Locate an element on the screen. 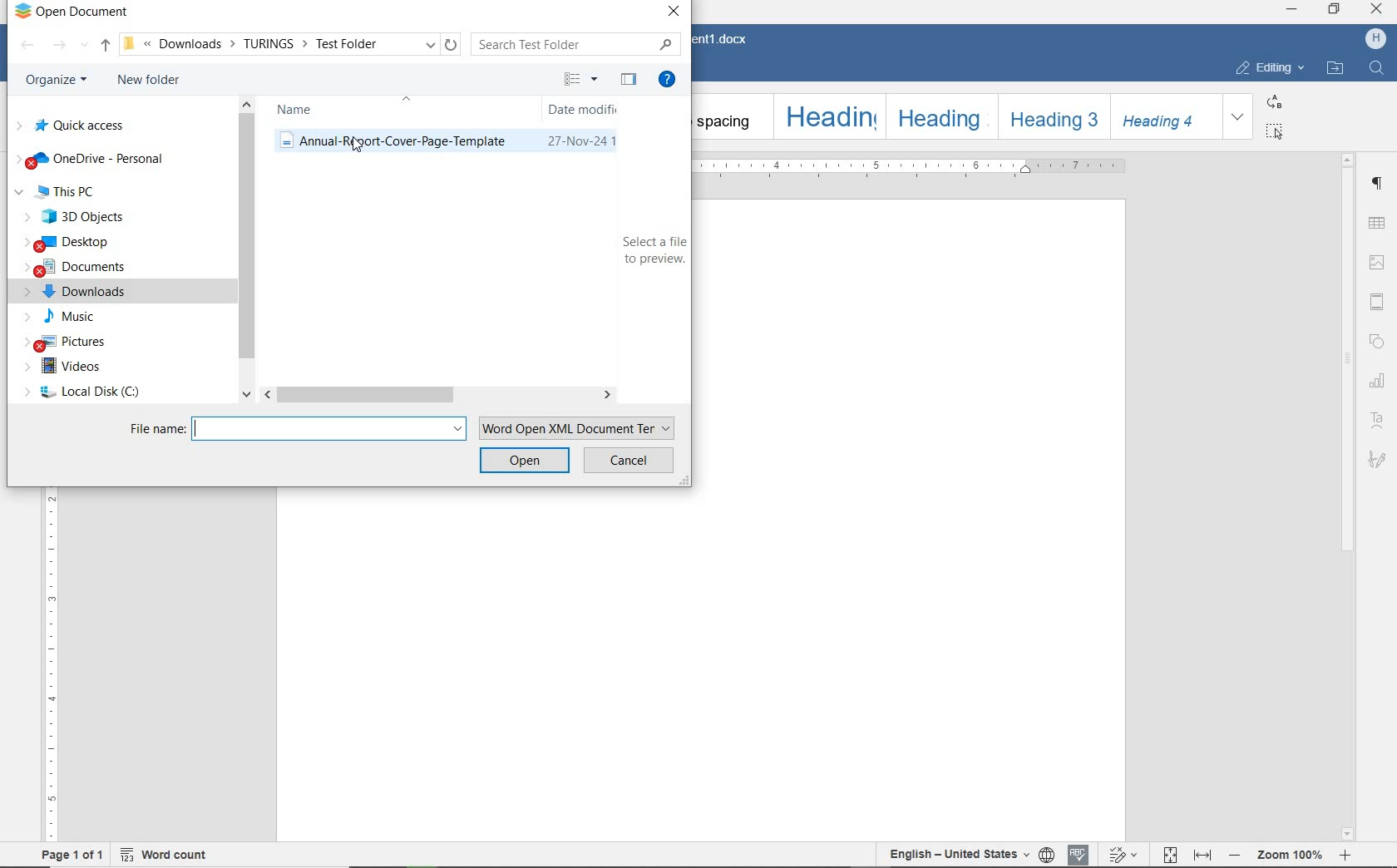  pictures is located at coordinates (78, 343).